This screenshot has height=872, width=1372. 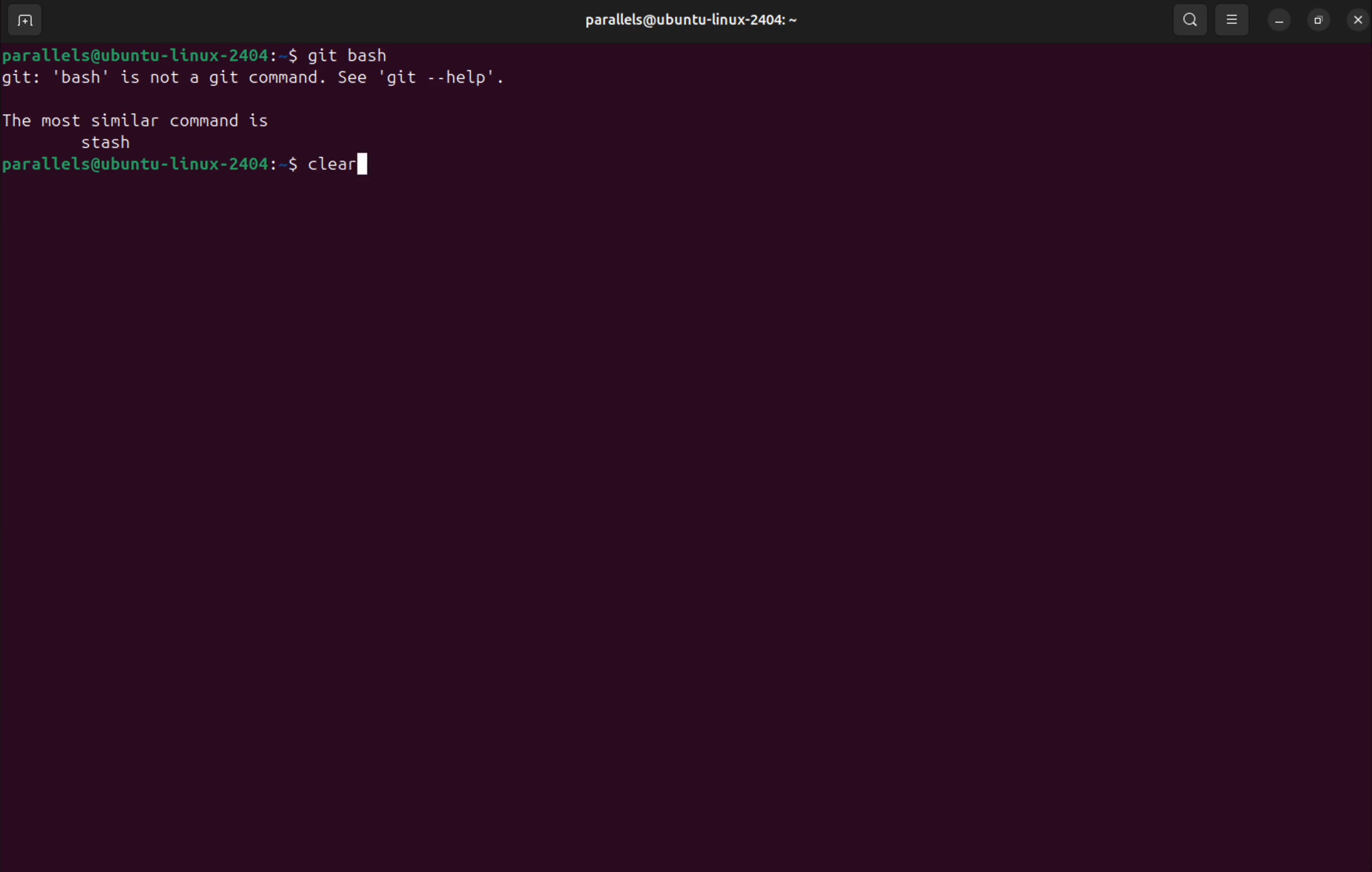 What do you see at coordinates (1281, 20) in the screenshot?
I see `minimize` at bounding box center [1281, 20].